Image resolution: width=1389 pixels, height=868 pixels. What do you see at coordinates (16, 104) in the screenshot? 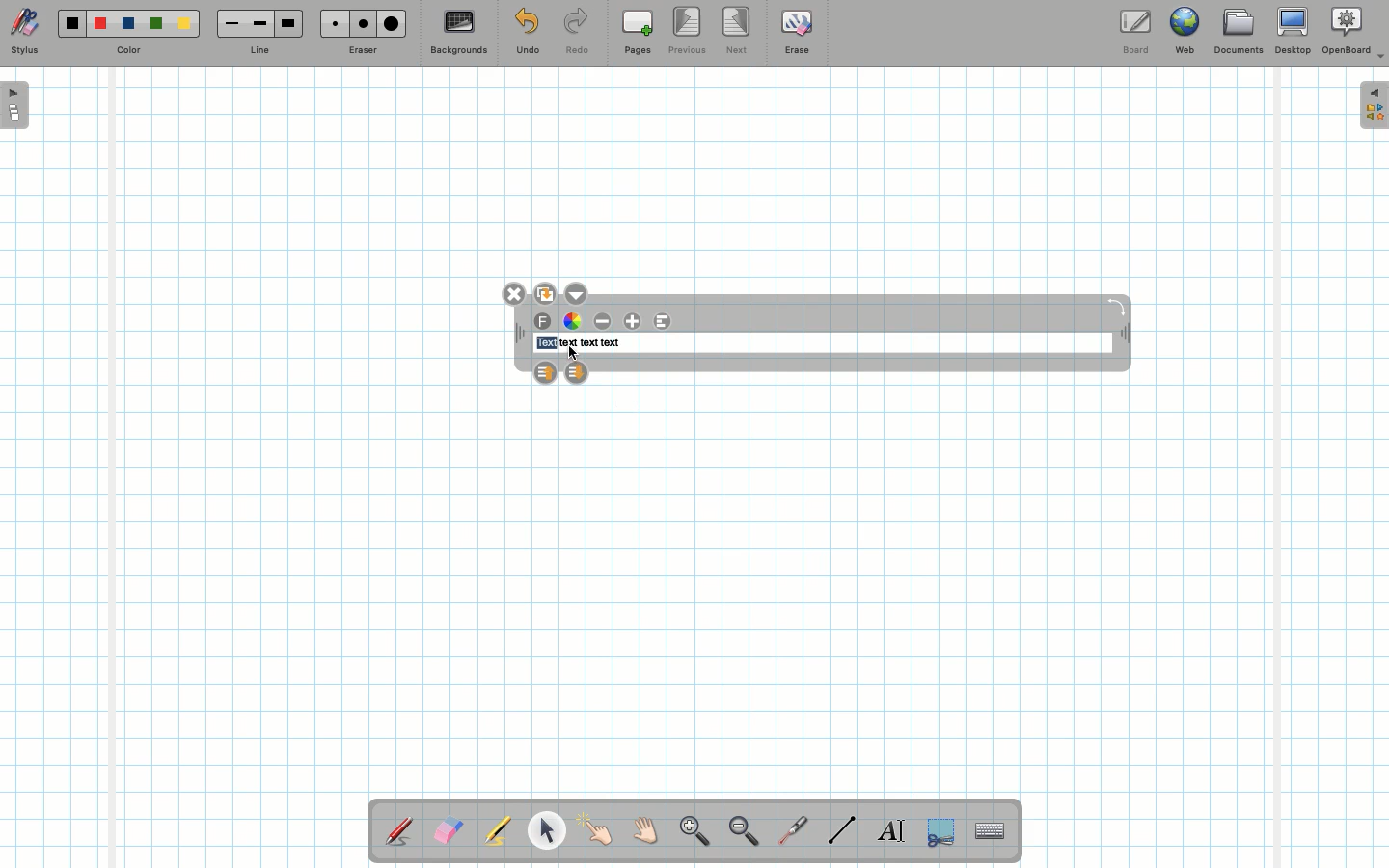
I see `Open pages` at bounding box center [16, 104].